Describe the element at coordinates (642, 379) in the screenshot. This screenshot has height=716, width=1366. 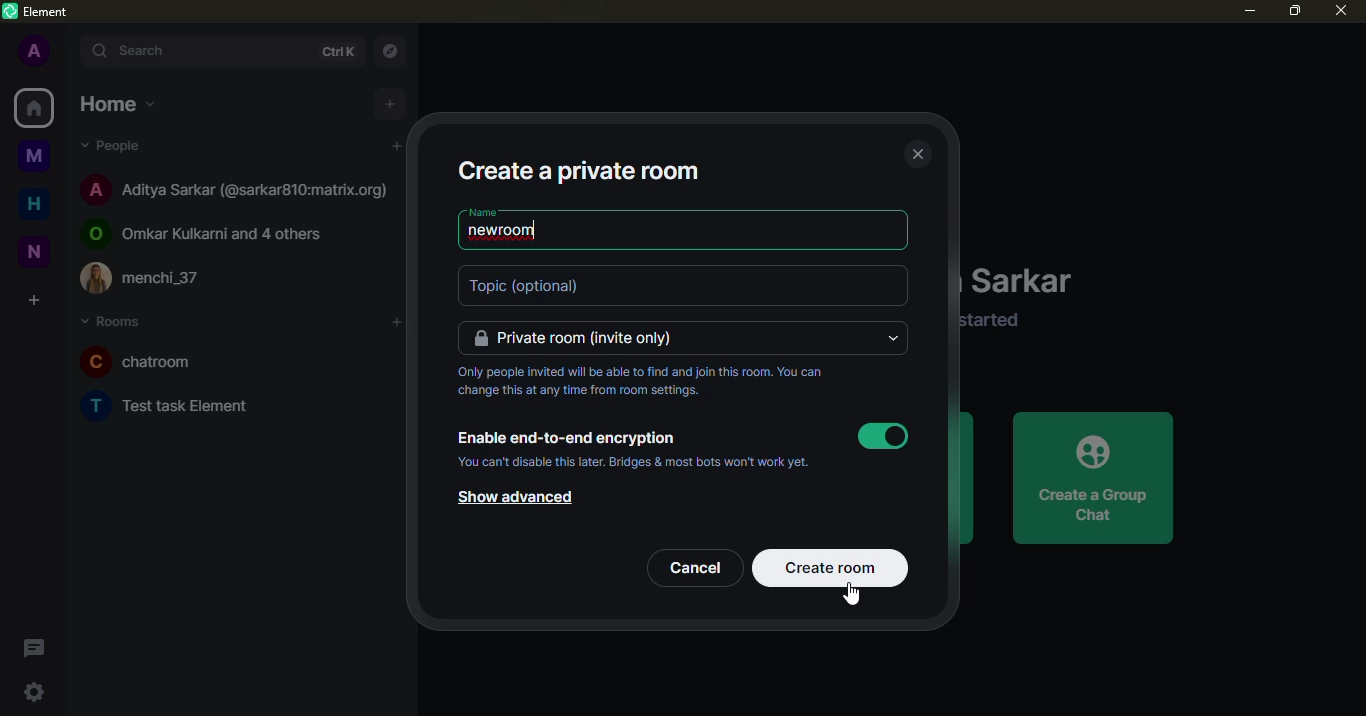
I see `Only people invited will be able to find and join this room. You can
change this at any time from room settings.` at that location.